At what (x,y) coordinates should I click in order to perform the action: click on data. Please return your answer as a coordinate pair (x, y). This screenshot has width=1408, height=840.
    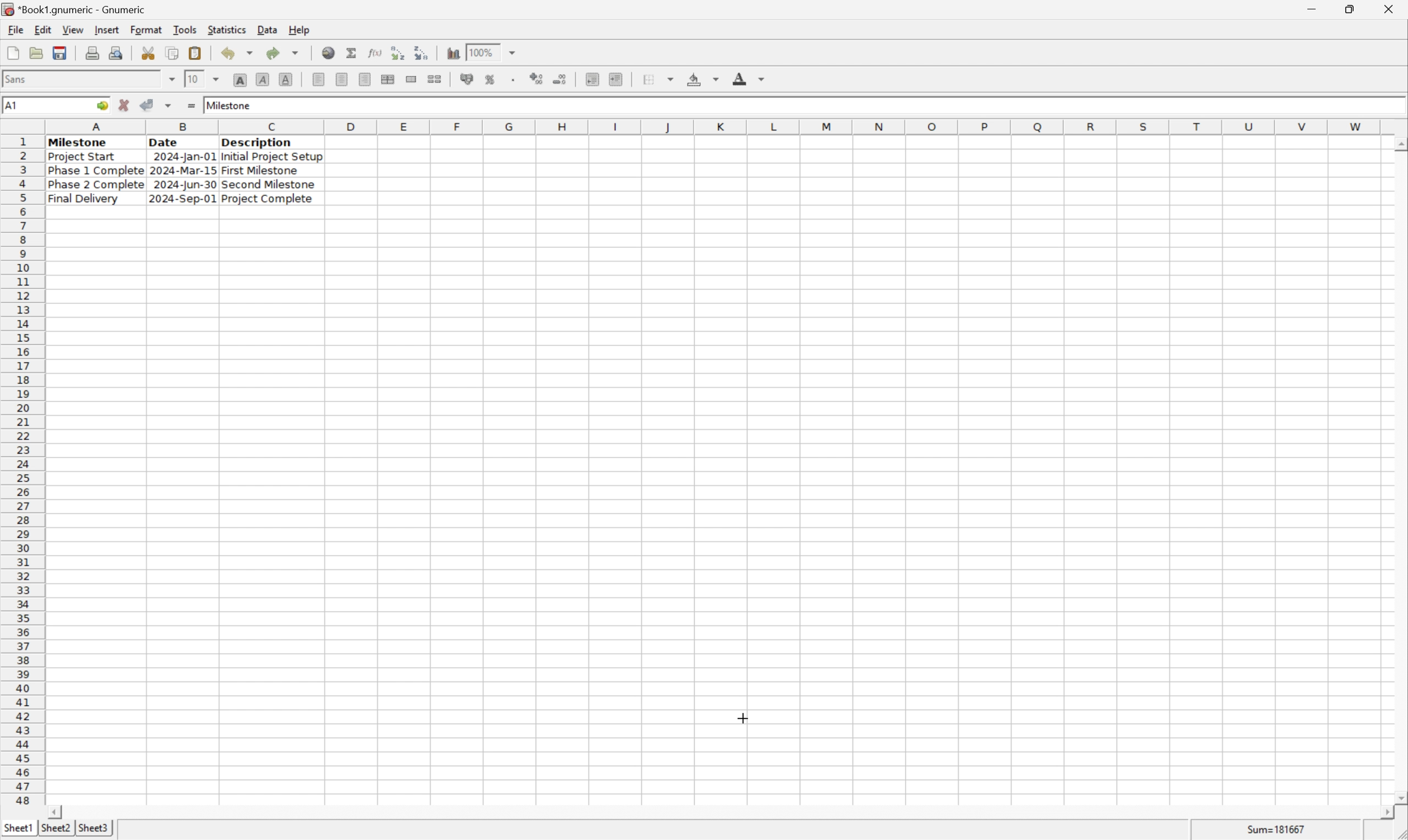
    Looking at the image, I should click on (267, 27).